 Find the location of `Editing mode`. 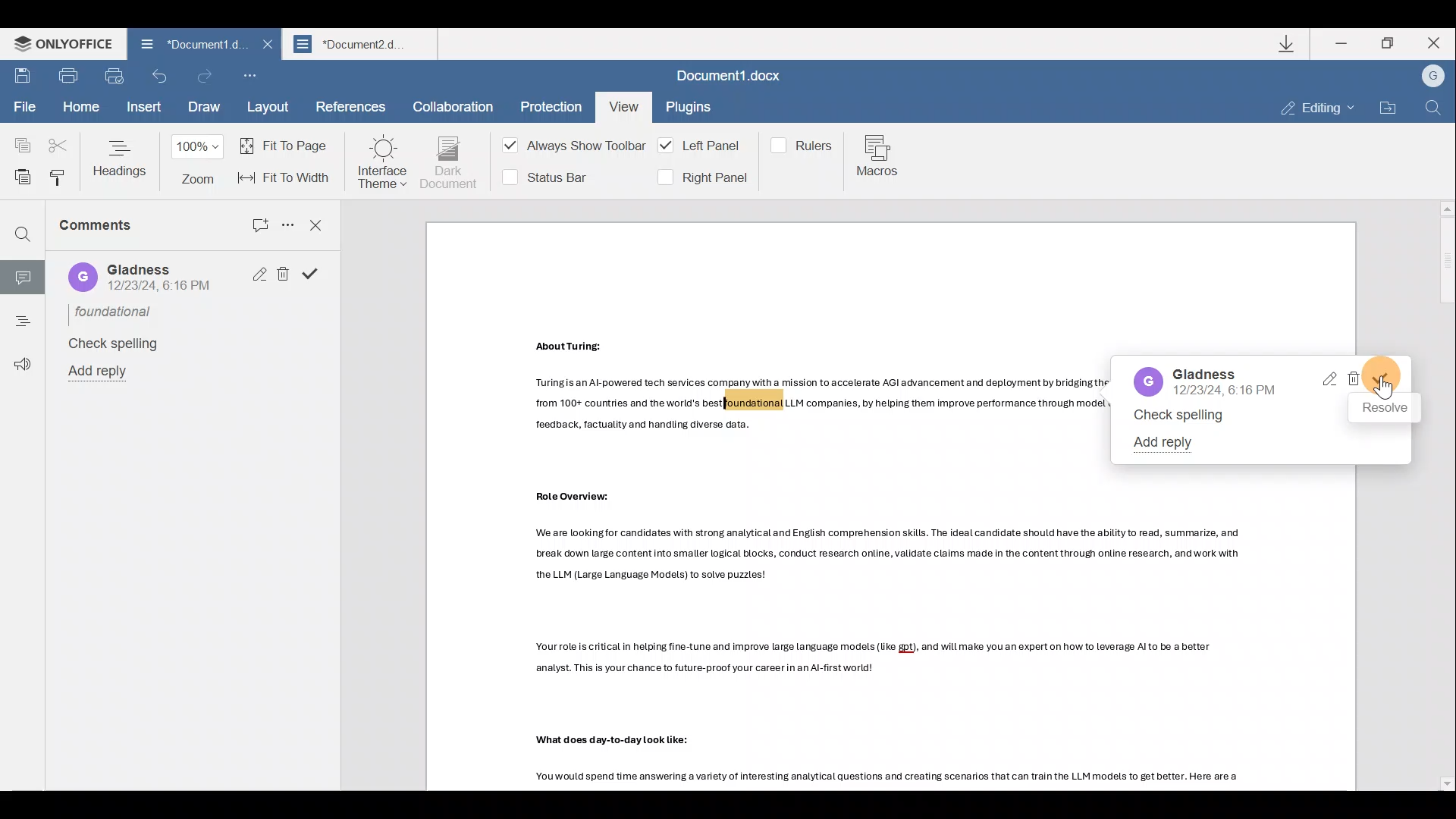

Editing mode is located at coordinates (1318, 109).